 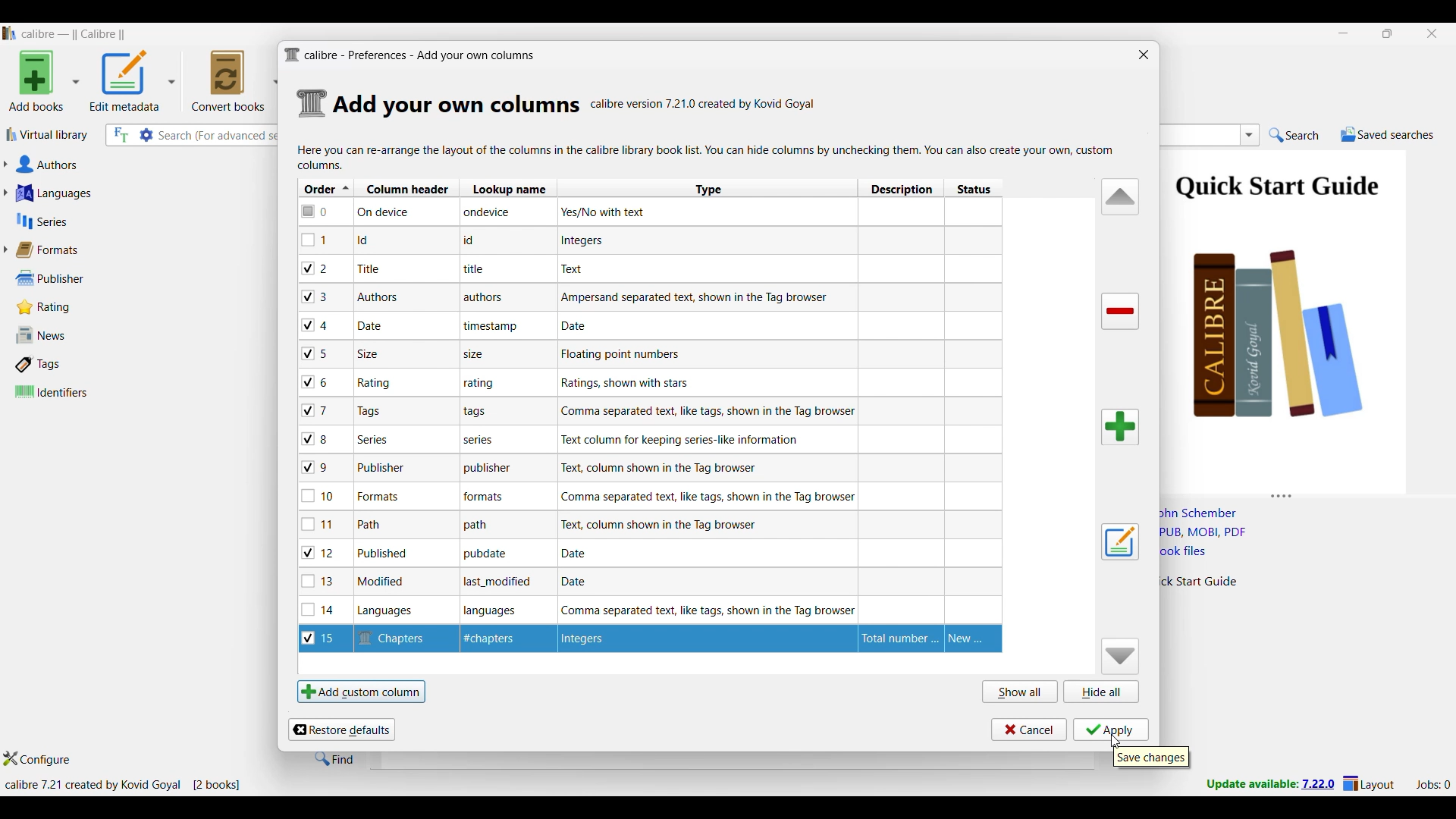 I want to click on Edit settings of a user defined column, so click(x=1120, y=542).